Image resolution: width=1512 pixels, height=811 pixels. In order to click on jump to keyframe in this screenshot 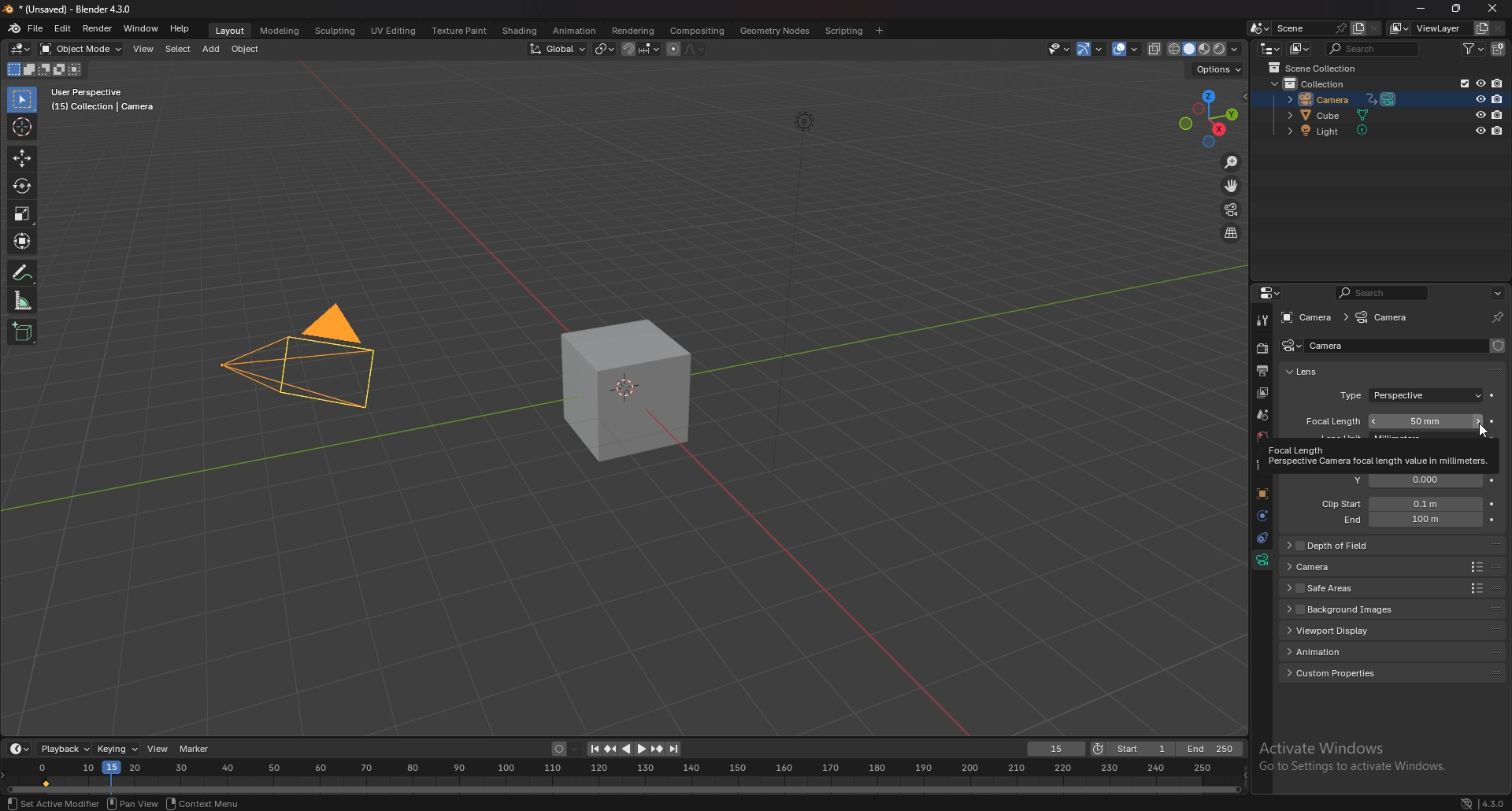, I will do `click(657, 749)`.